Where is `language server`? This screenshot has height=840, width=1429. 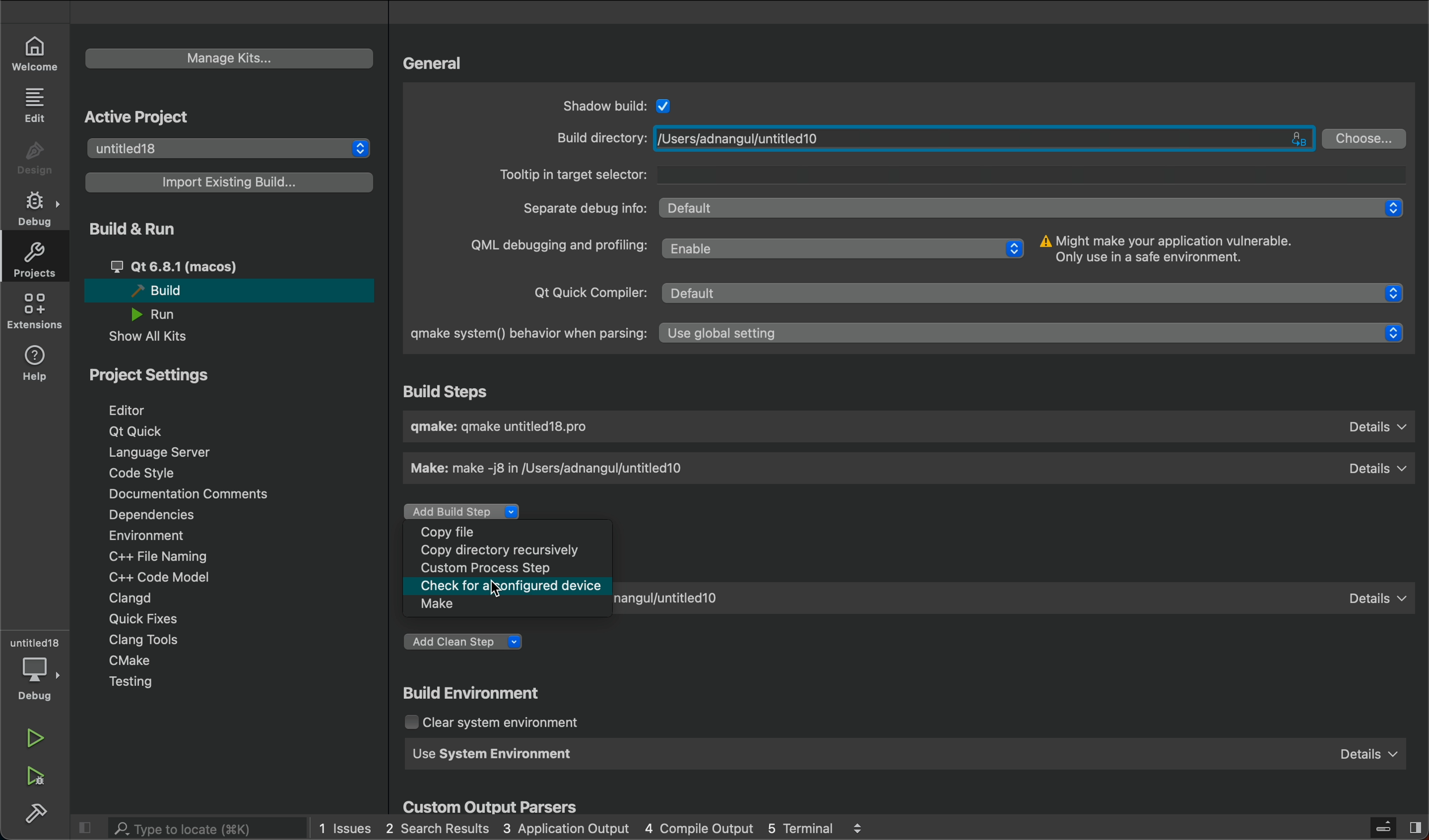
language server is located at coordinates (164, 452).